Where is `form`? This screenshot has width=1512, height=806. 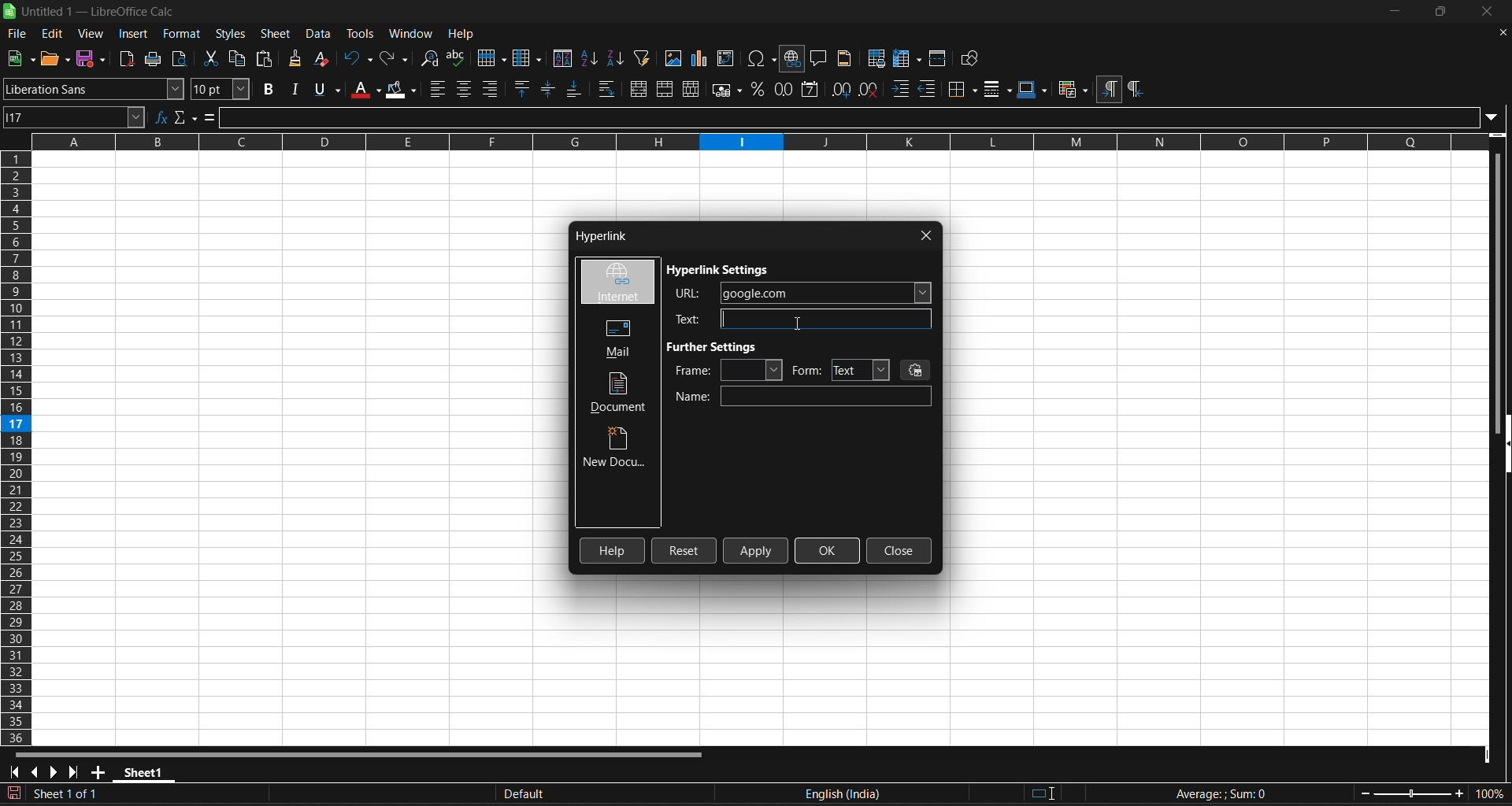
form is located at coordinates (840, 370).